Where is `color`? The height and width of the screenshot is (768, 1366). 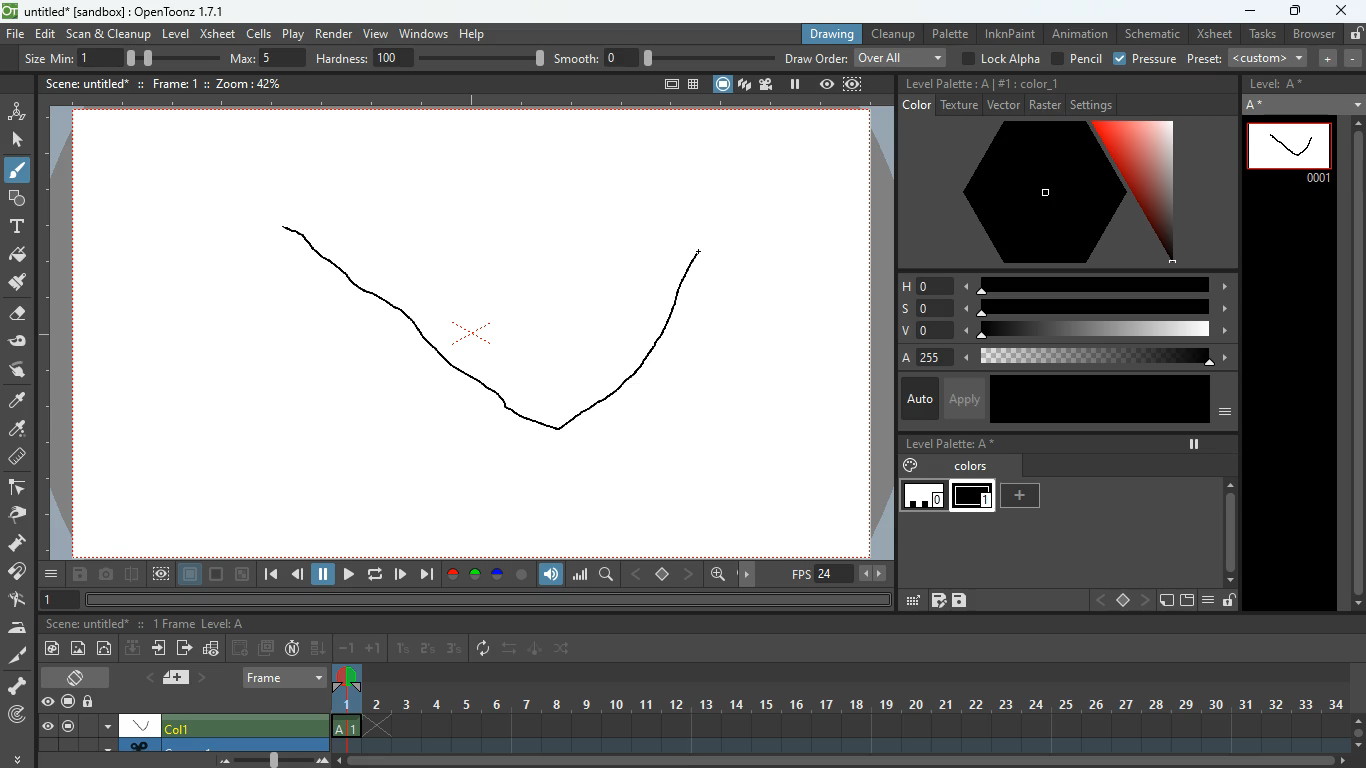 color is located at coordinates (522, 575).